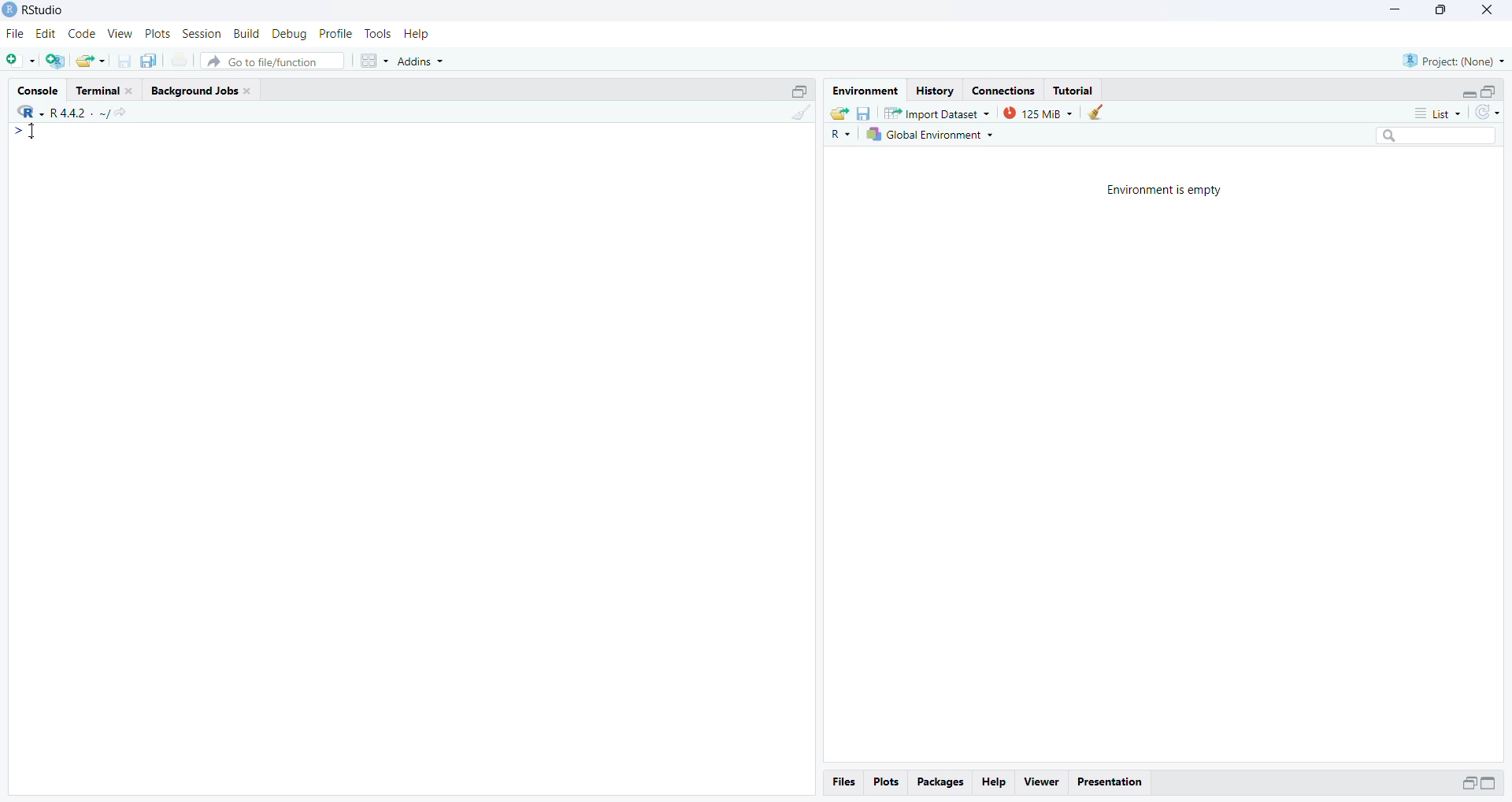 This screenshot has height=802, width=1512. What do you see at coordinates (939, 783) in the screenshot?
I see `packages` at bounding box center [939, 783].